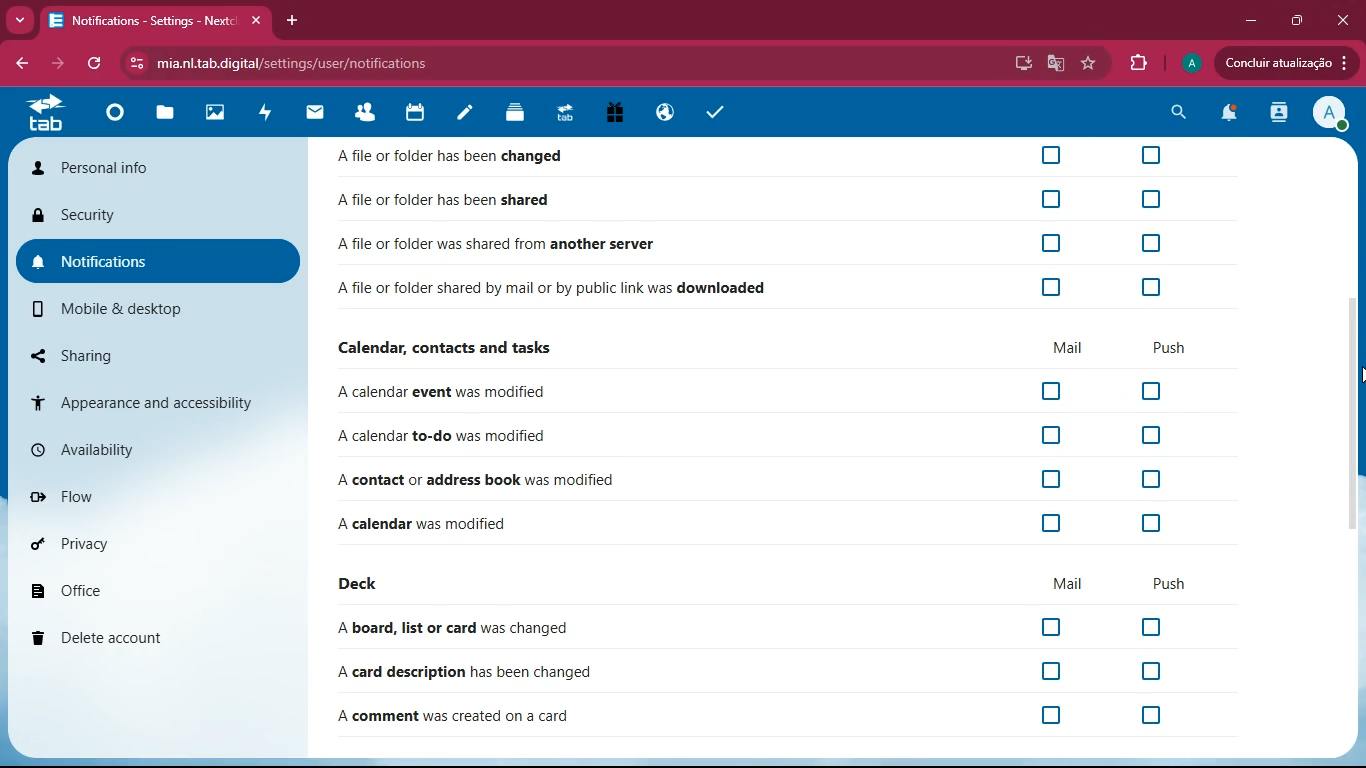 This screenshot has height=768, width=1366. I want to click on refresh, so click(98, 64).